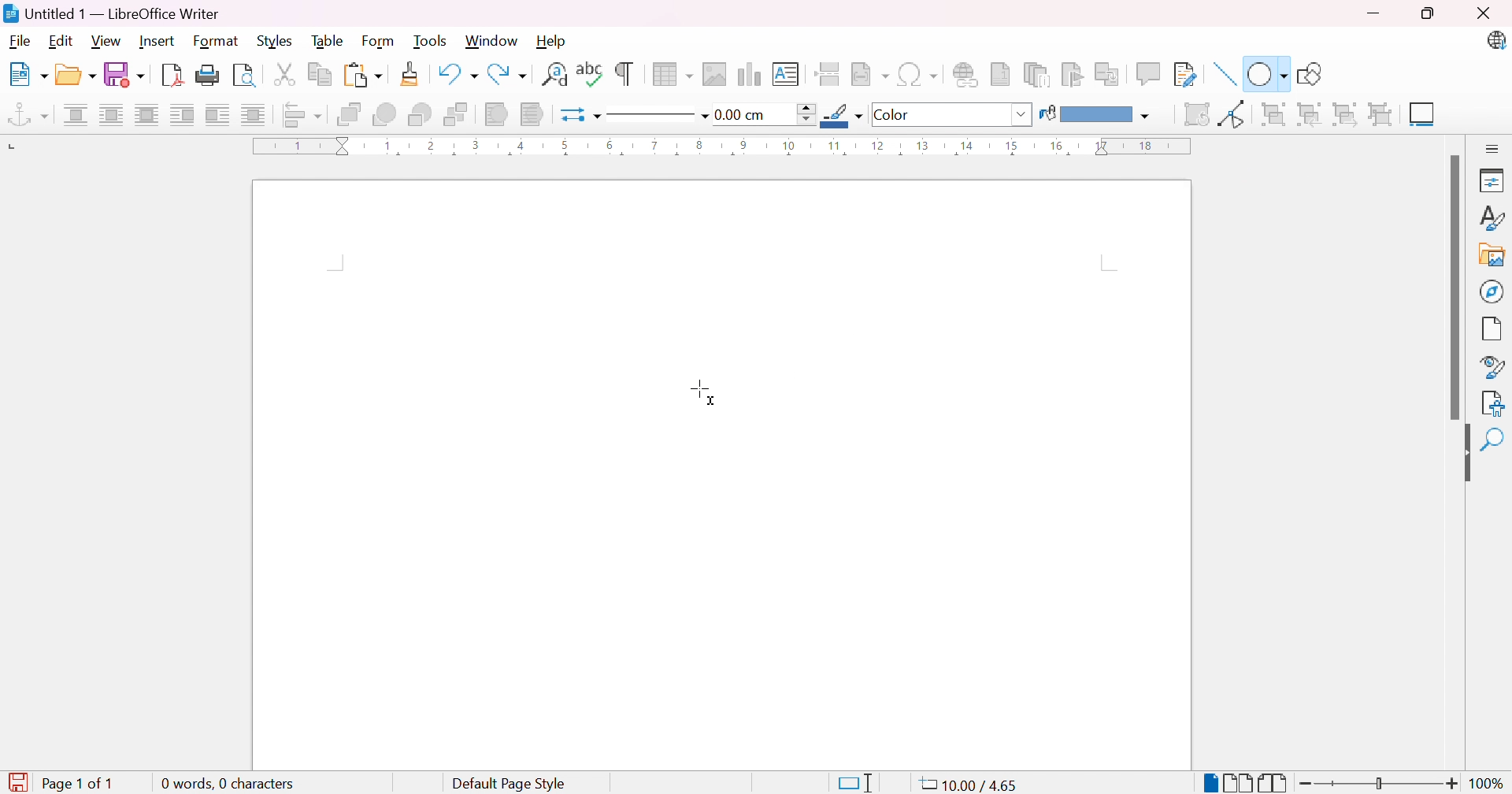 The height and width of the screenshot is (794, 1512). I want to click on Toggle point edit mode, so click(1233, 114).